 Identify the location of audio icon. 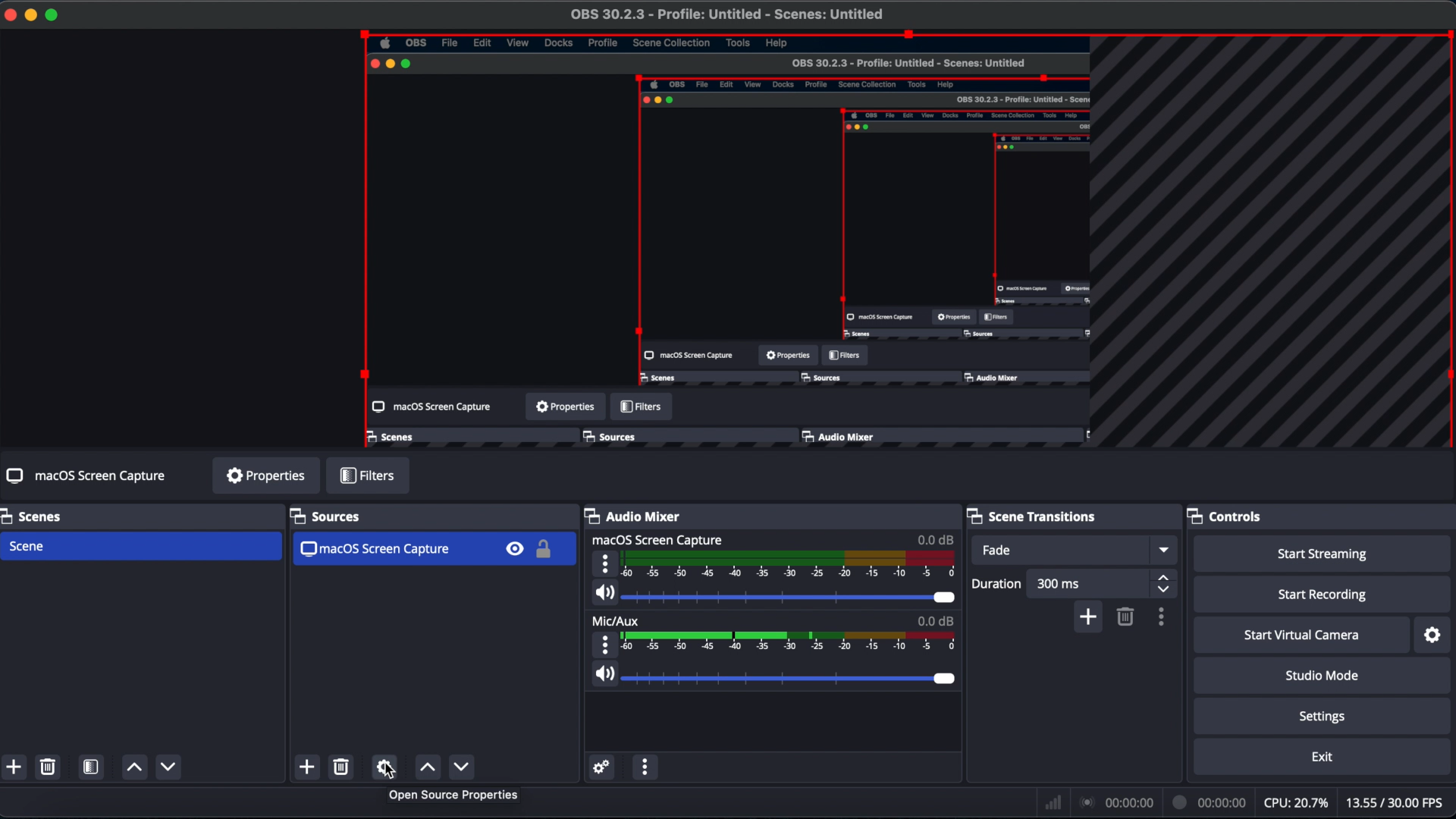
(603, 673).